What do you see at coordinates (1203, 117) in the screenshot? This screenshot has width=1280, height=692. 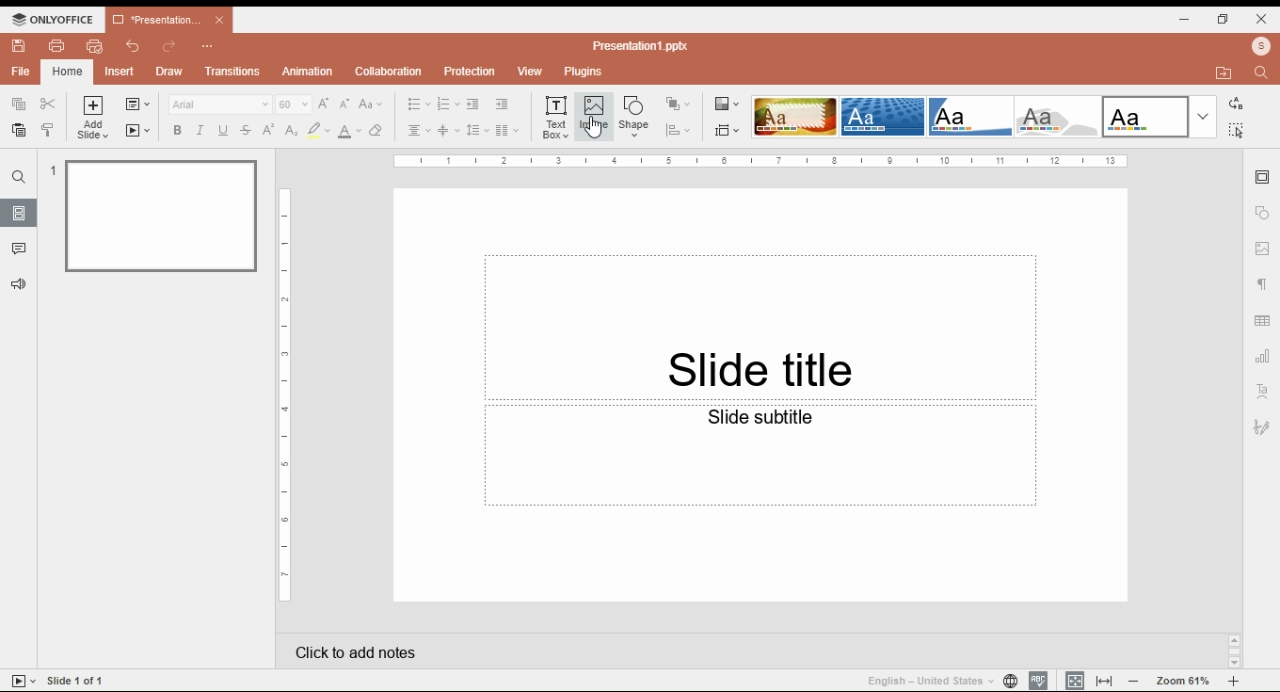 I see `more themes ` at bounding box center [1203, 117].